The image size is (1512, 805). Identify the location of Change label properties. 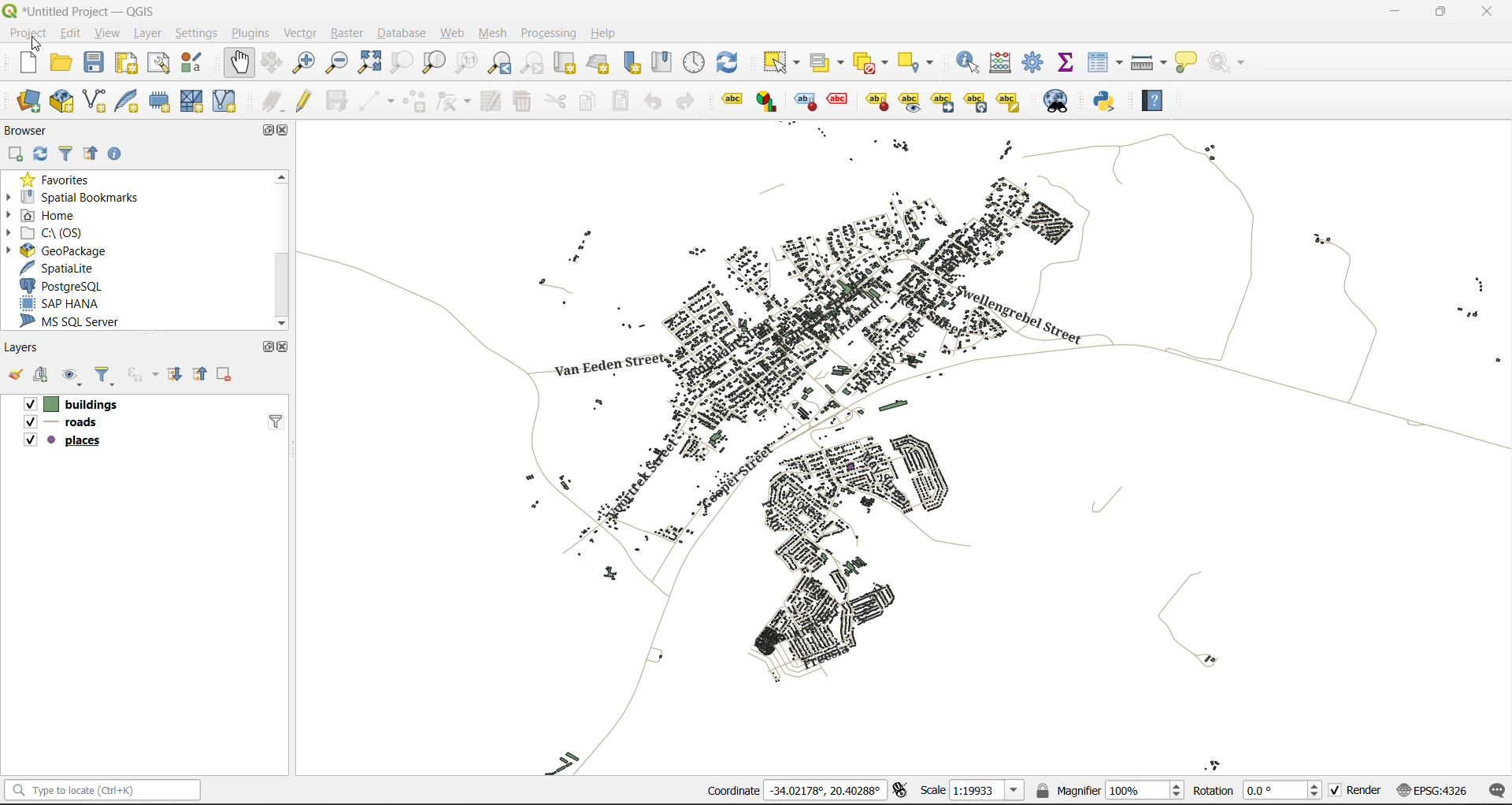
(1009, 100).